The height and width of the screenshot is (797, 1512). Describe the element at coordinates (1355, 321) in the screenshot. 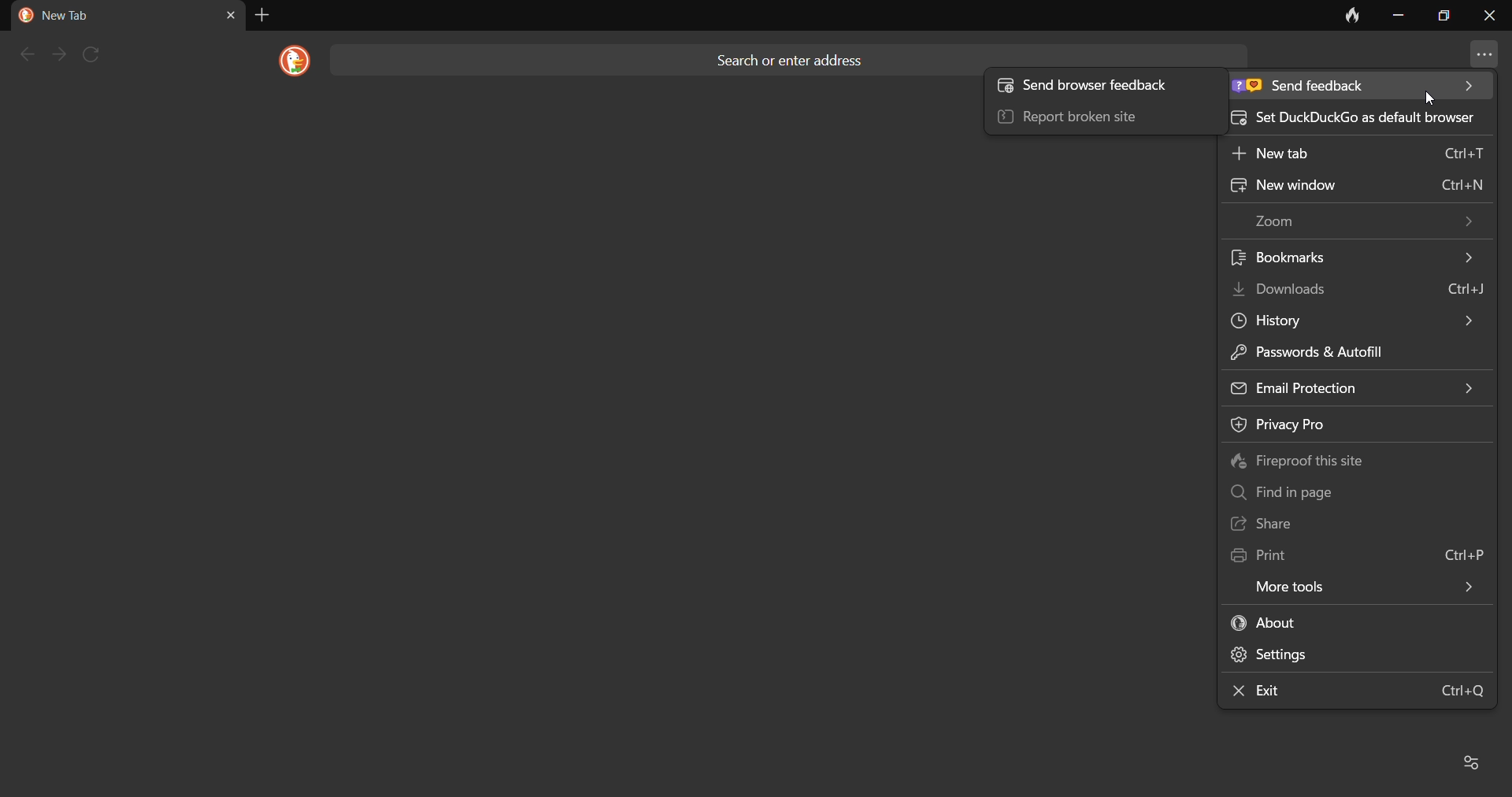

I see `history` at that location.